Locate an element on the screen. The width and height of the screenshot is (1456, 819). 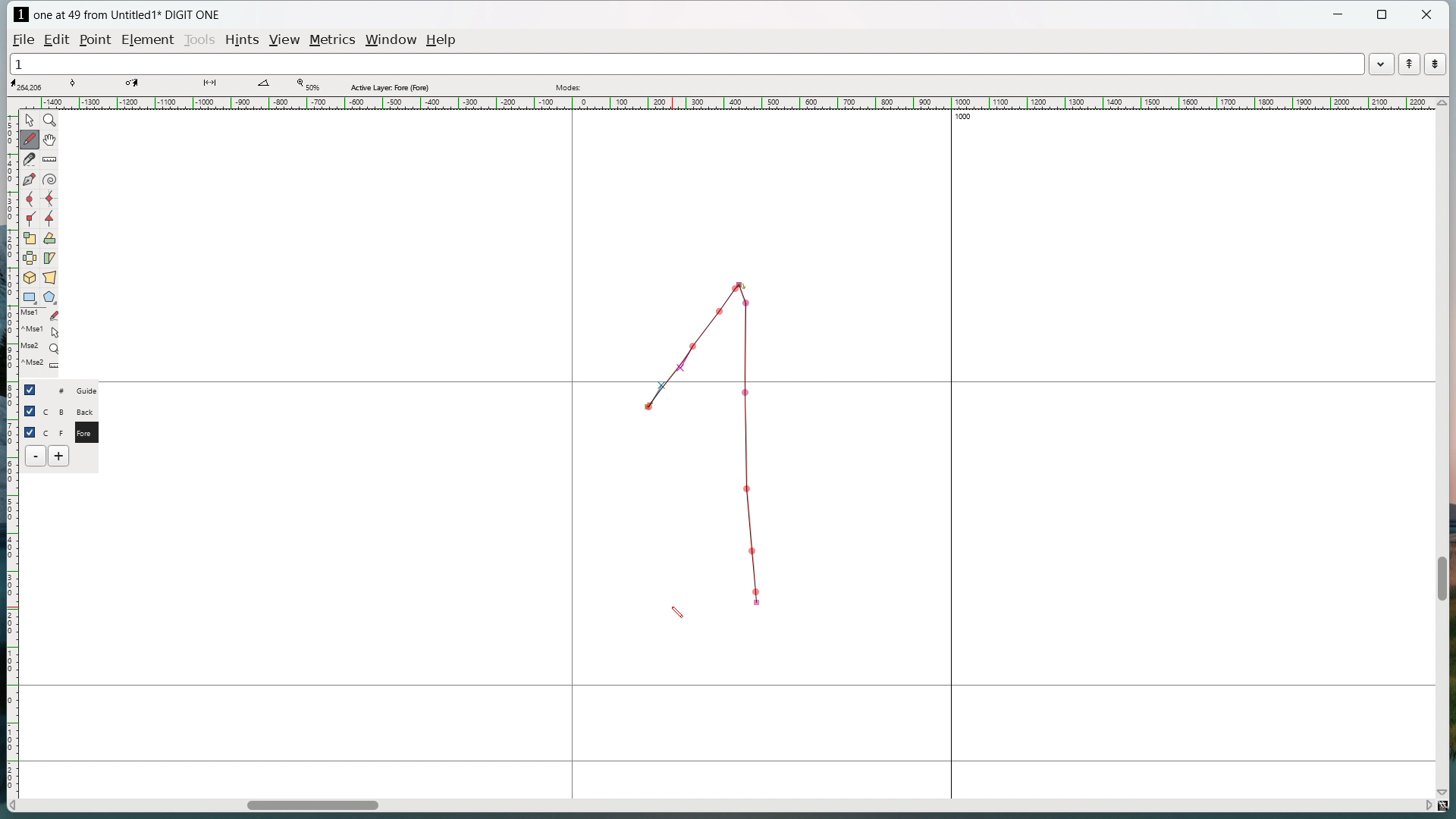
polygon/star is located at coordinates (50, 297).